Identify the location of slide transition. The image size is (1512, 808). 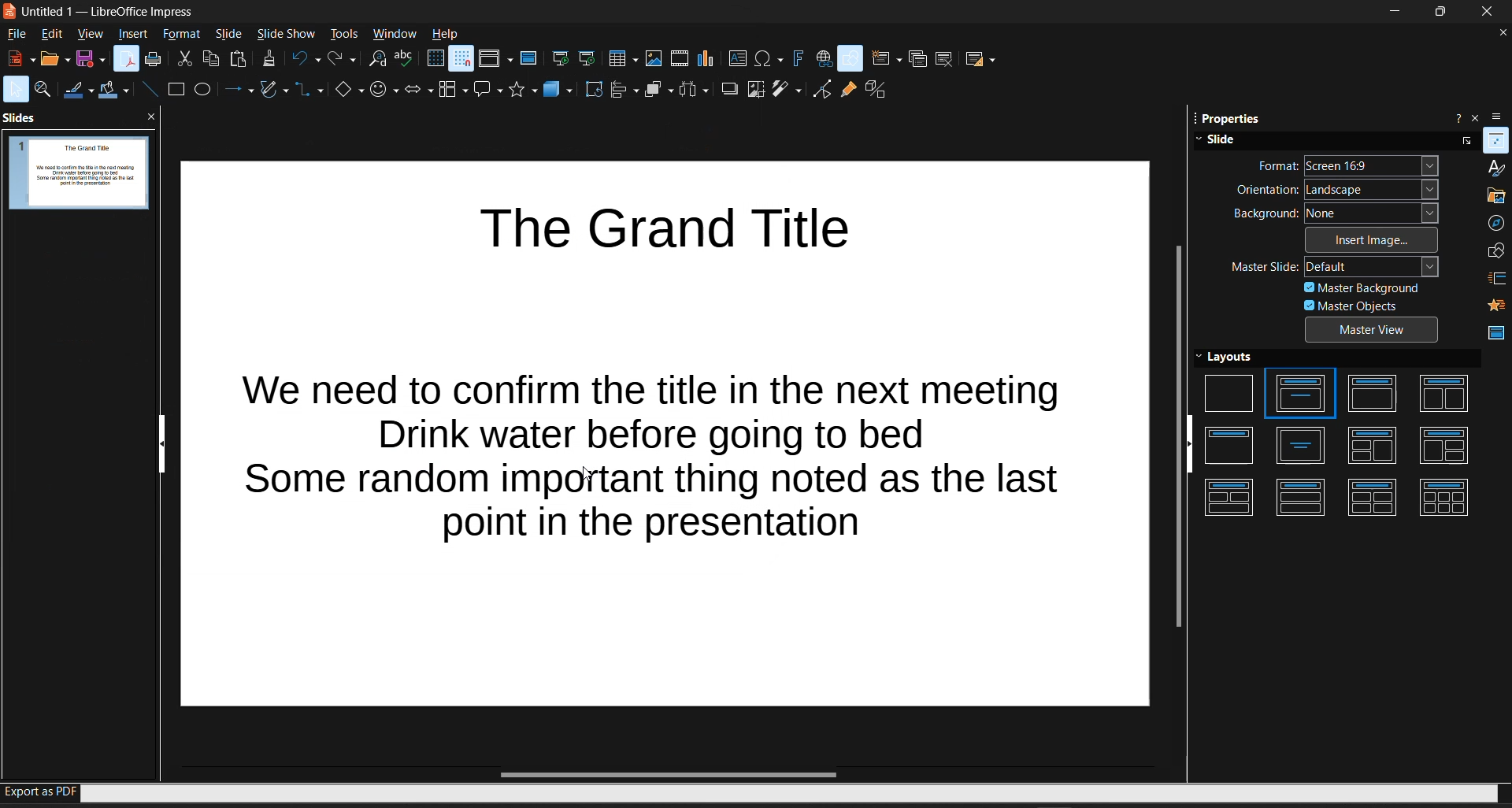
(1497, 279).